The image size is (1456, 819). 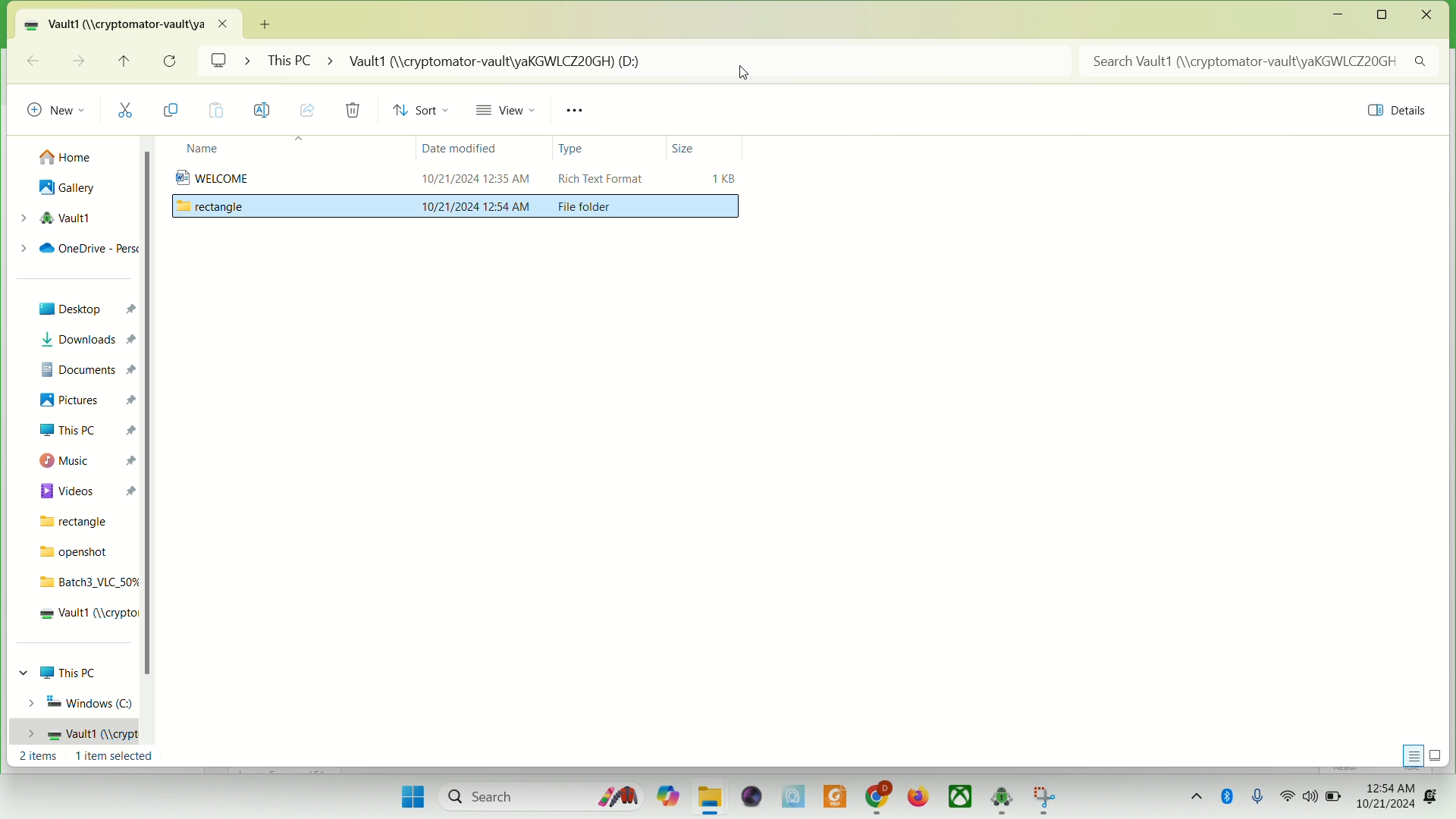 I want to click on microphone, so click(x=1262, y=795).